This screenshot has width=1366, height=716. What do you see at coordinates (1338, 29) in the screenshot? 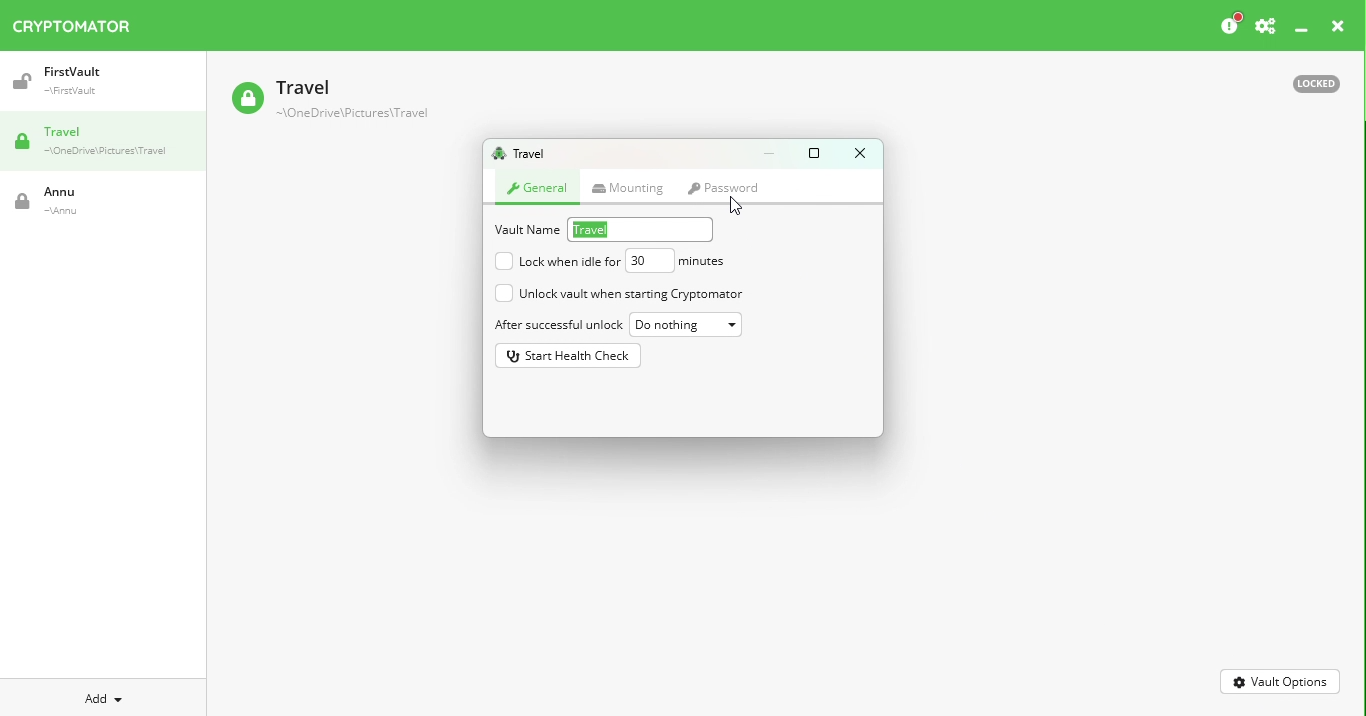
I see `Close` at bounding box center [1338, 29].